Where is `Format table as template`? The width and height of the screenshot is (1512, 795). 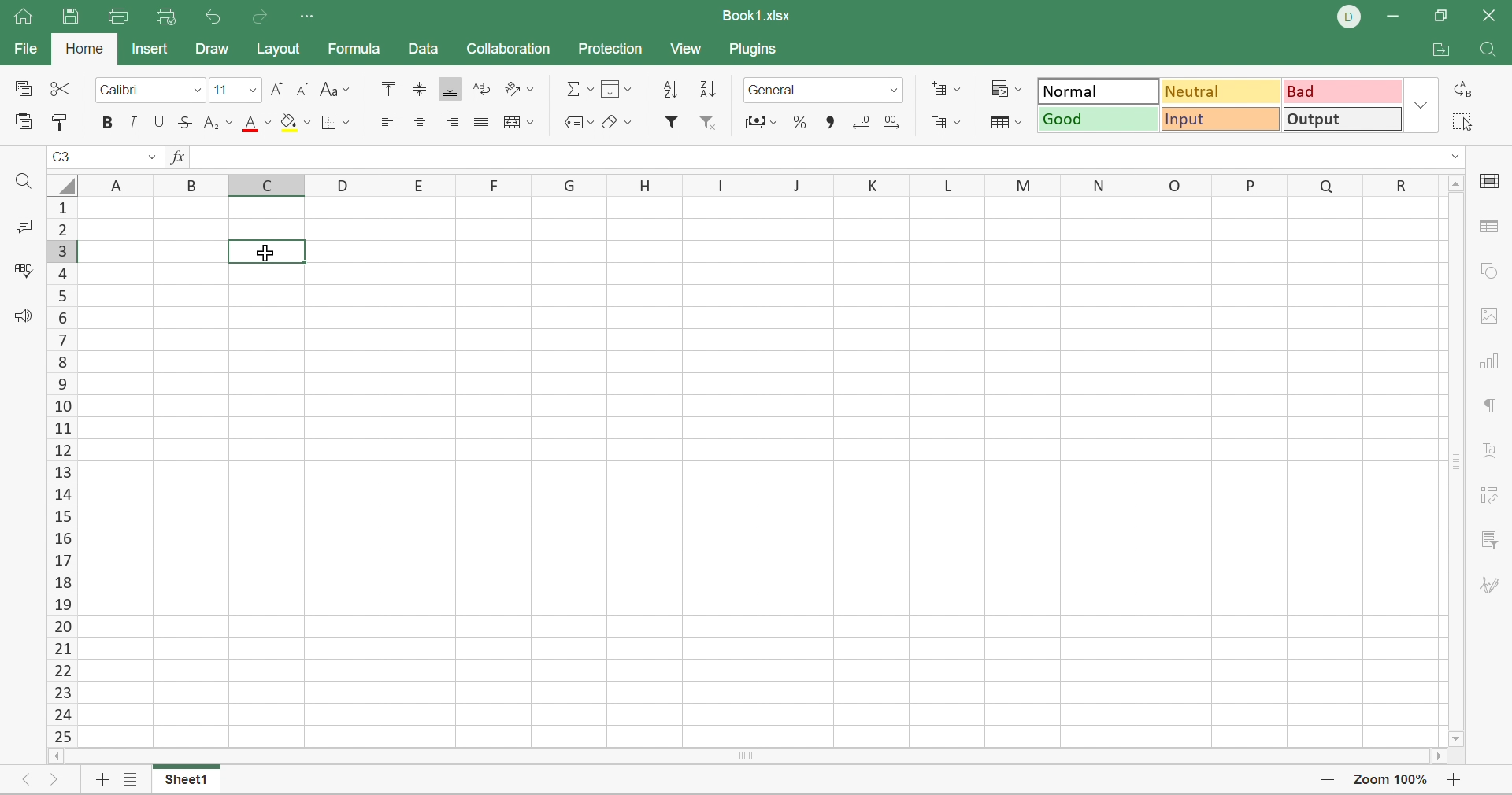
Format table as template is located at coordinates (1008, 122).